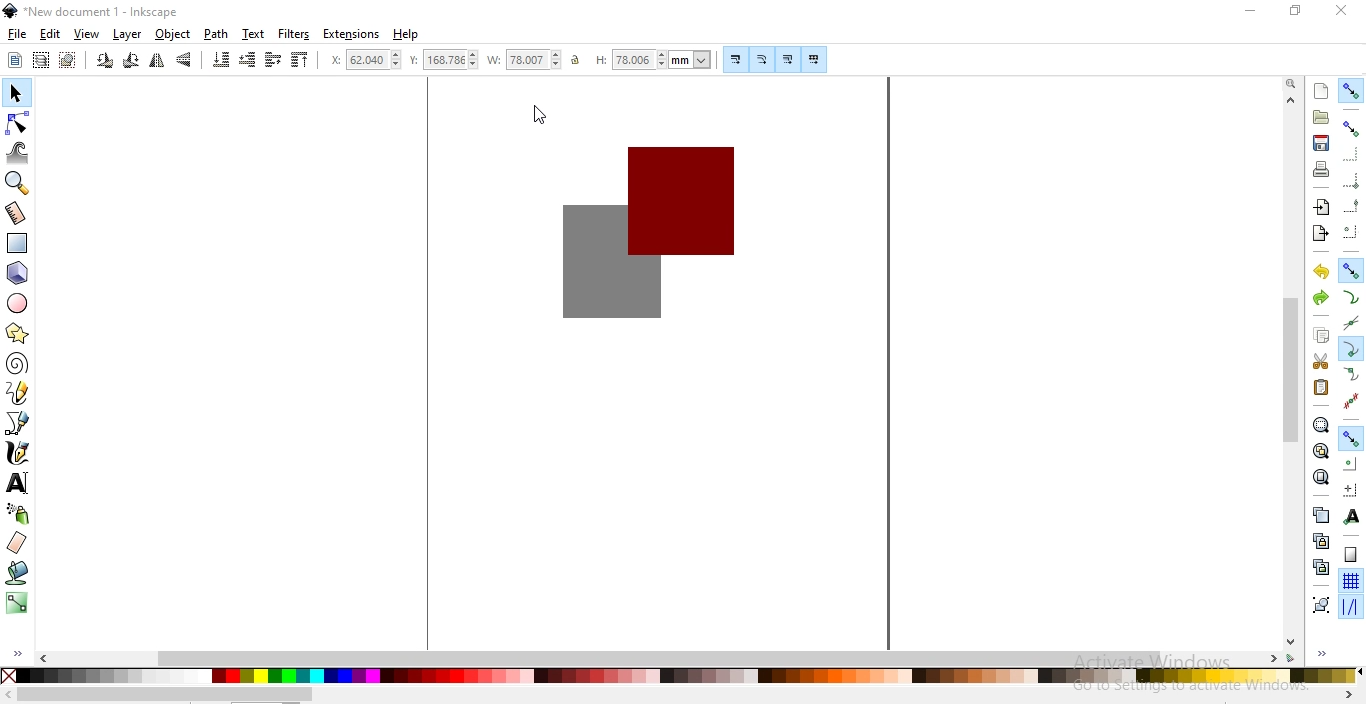 The width and height of the screenshot is (1366, 704). What do you see at coordinates (105, 62) in the screenshot?
I see `rotate 90 counter clockwise` at bounding box center [105, 62].